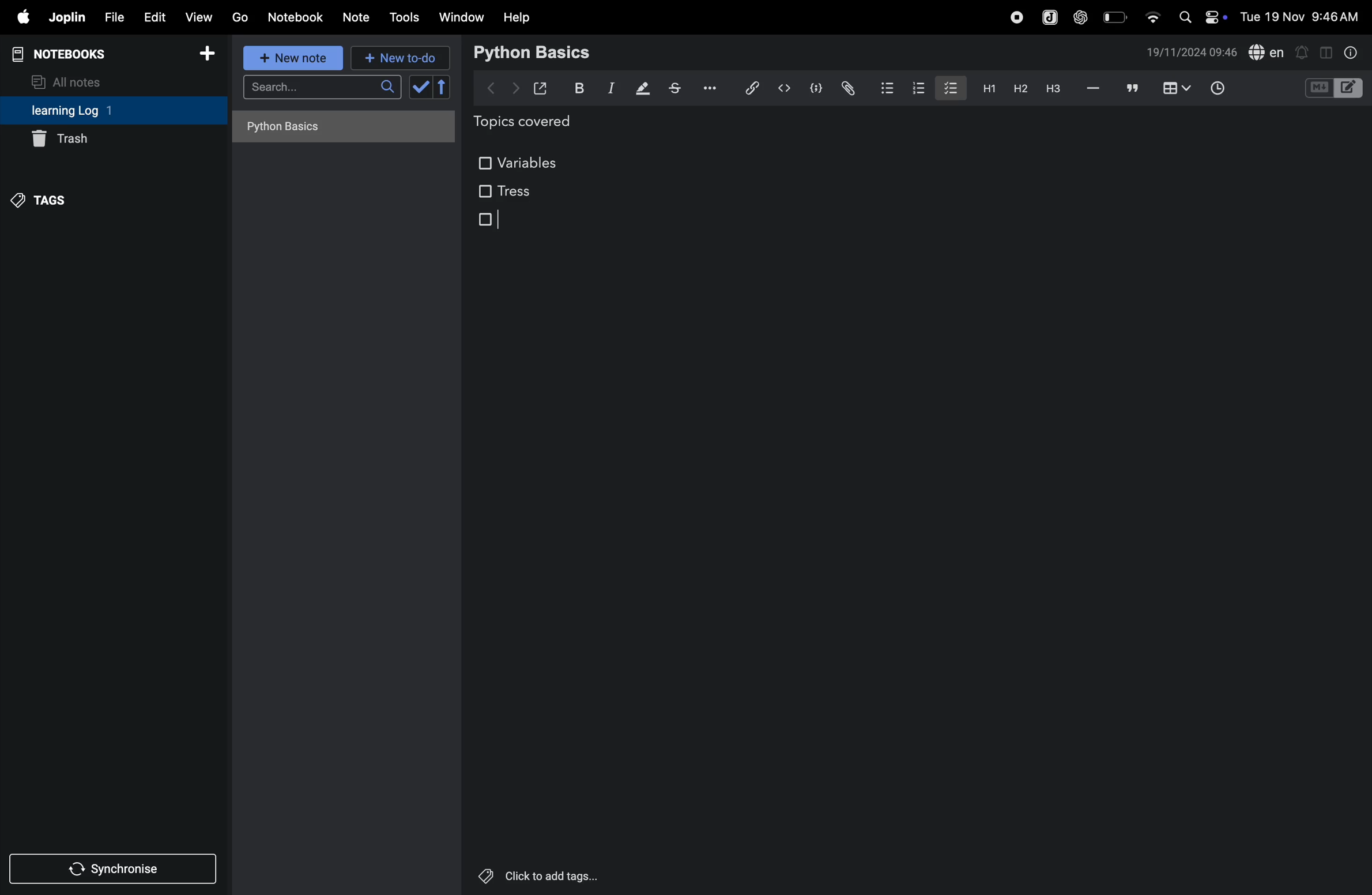 This screenshot has height=895, width=1372. Describe the element at coordinates (949, 87) in the screenshot. I see `checkbox` at that location.